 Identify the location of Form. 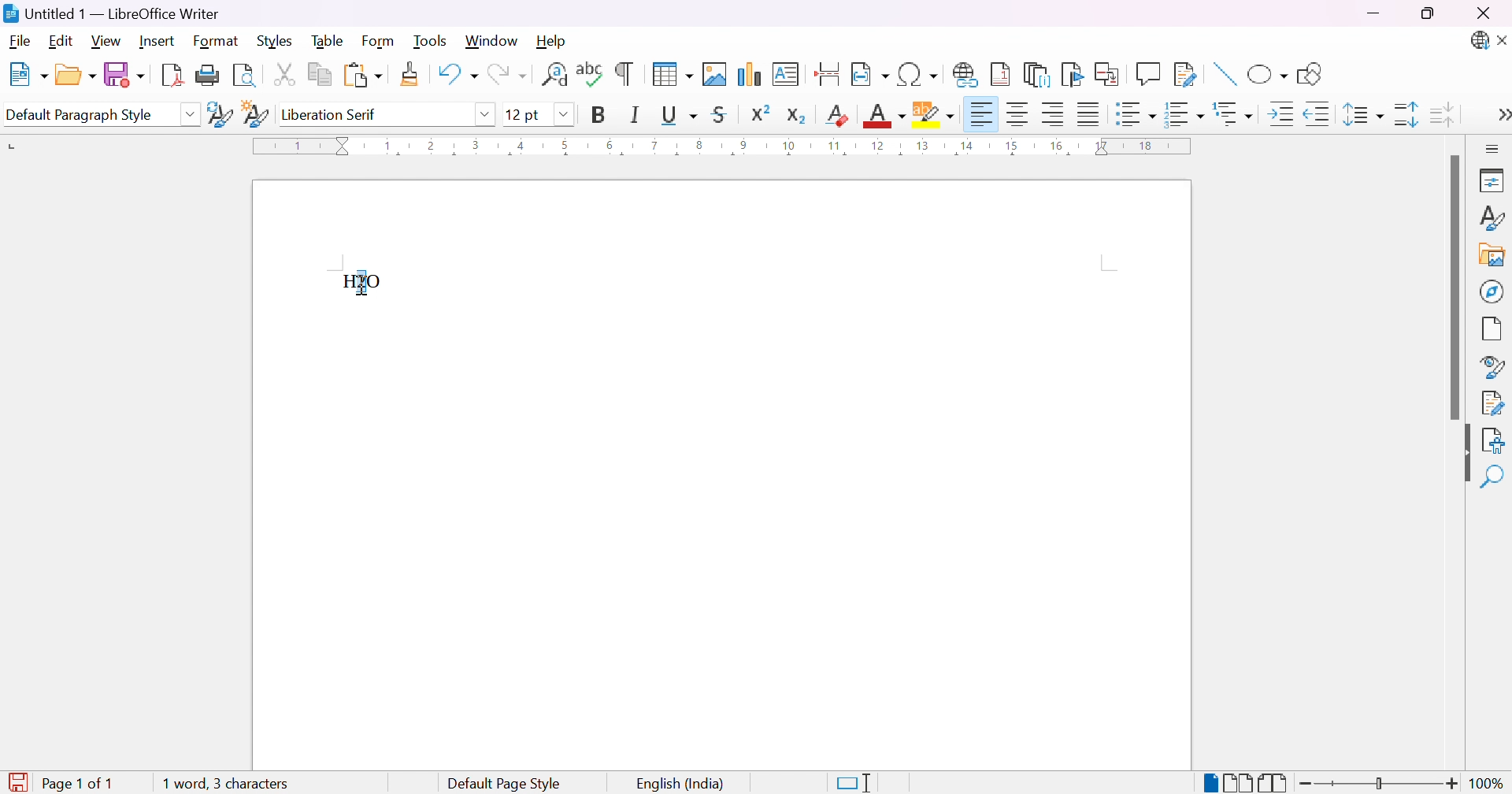
(382, 42).